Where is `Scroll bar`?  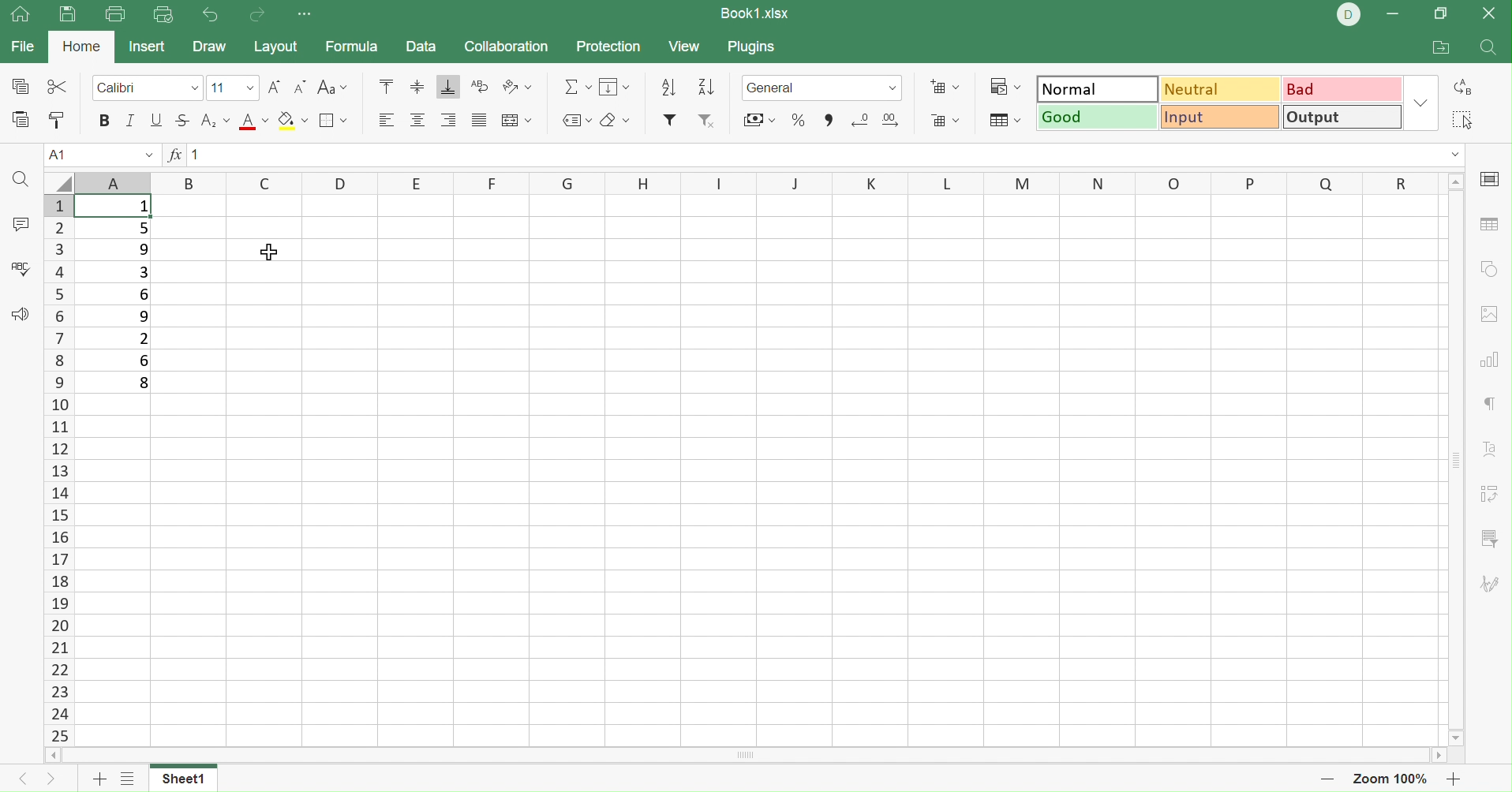
Scroll bar is located at coordinates (1456, 458).